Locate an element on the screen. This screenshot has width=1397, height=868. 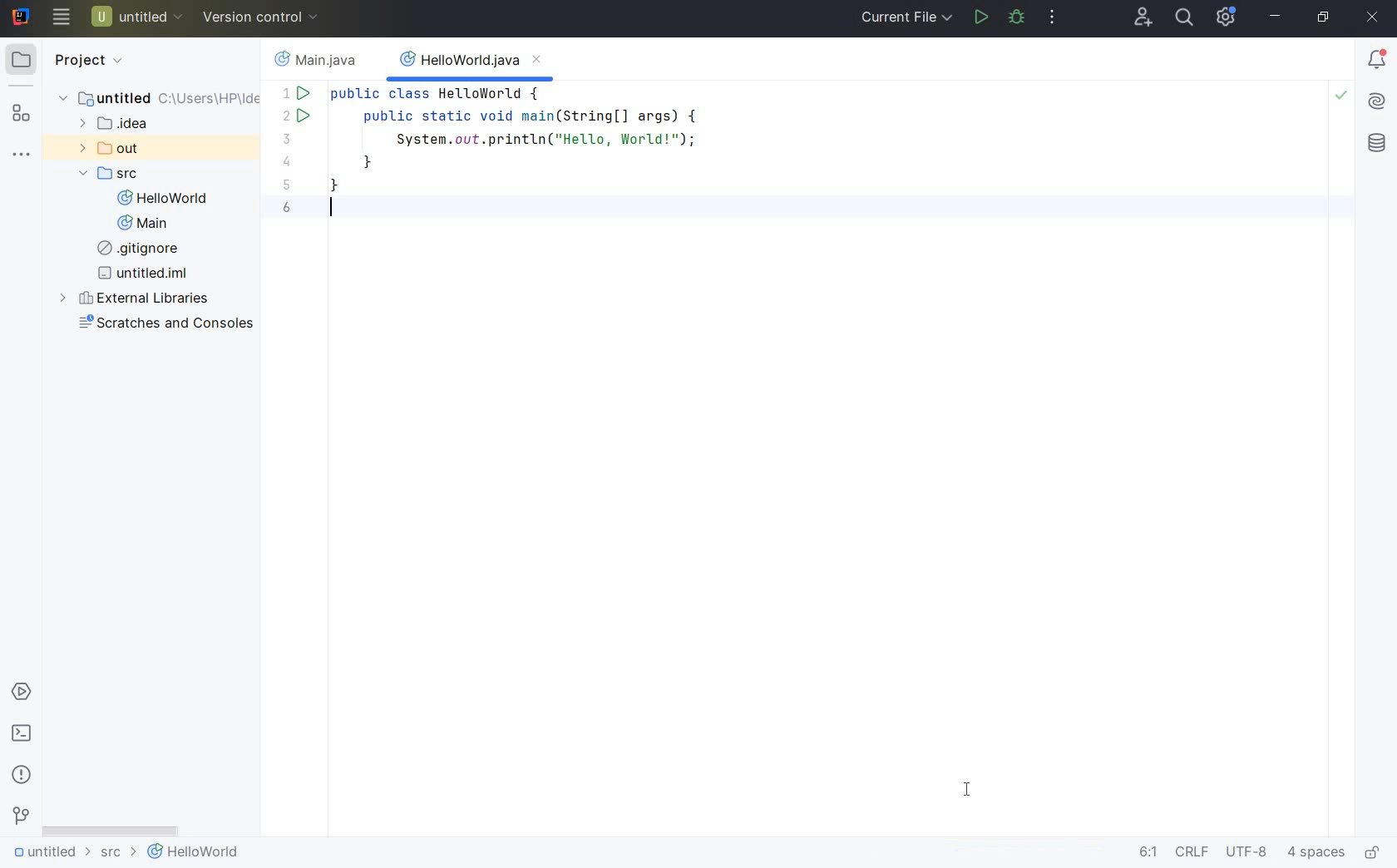
UNTITLED (project name) is located at coordinates (138, 16).